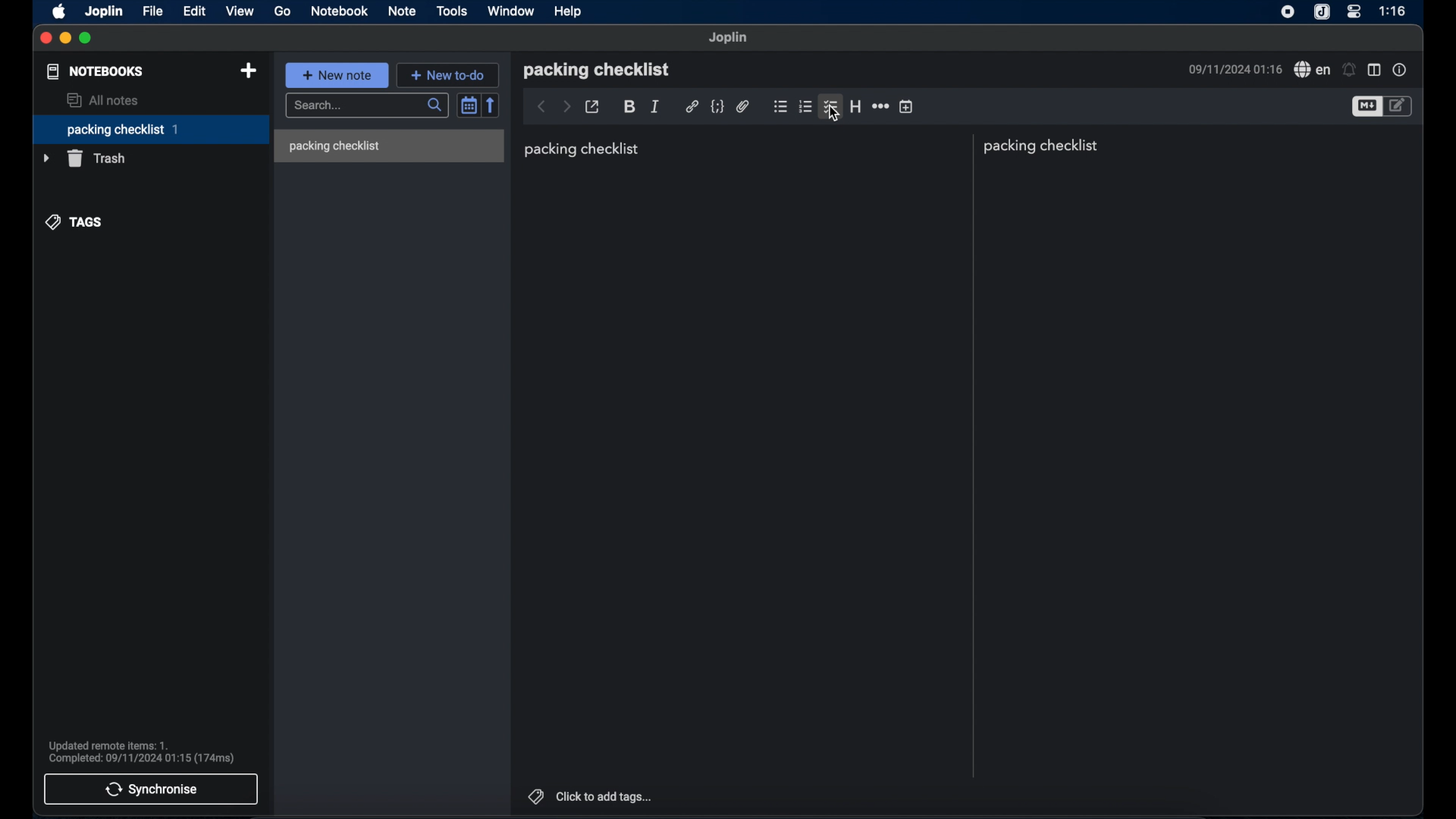 Image resolution: width=1456 pixels, height=819 pixels. I want to click on set alarm, so click(1349, 69).